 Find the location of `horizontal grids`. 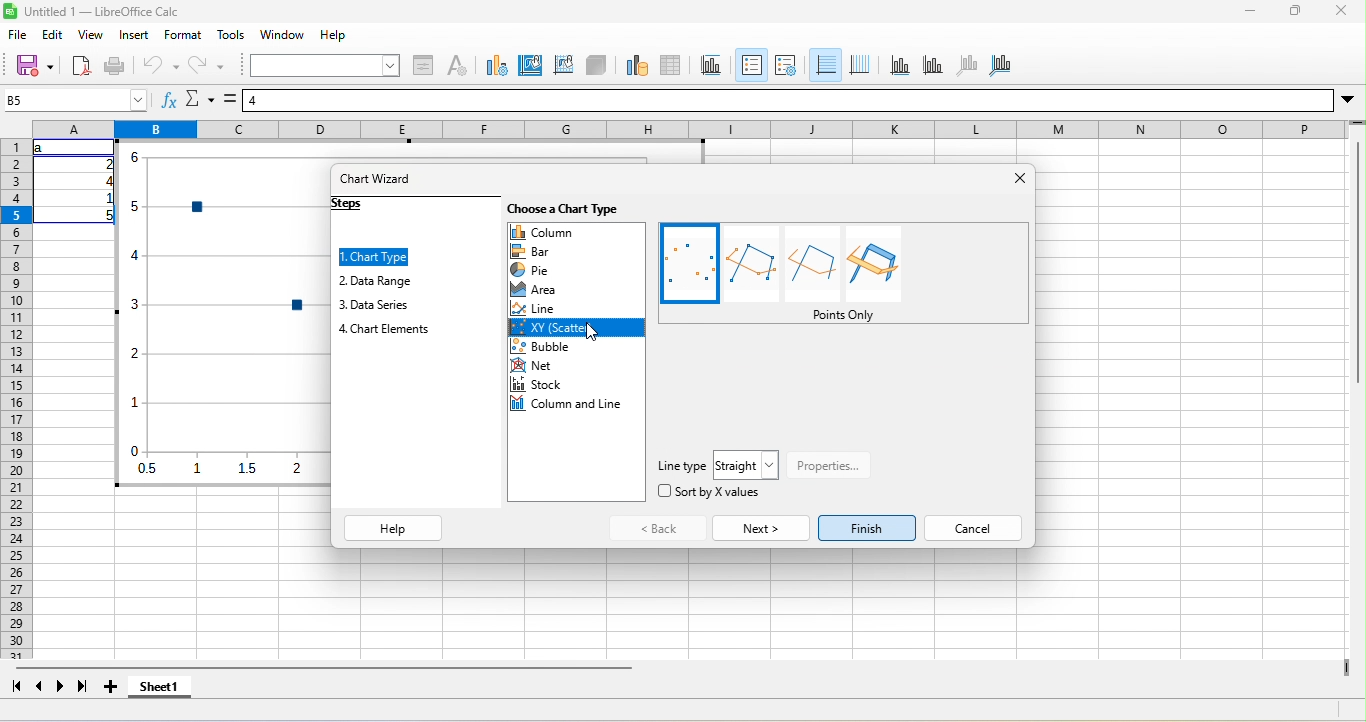

horizontal grids is located at coordinates (826, 66).